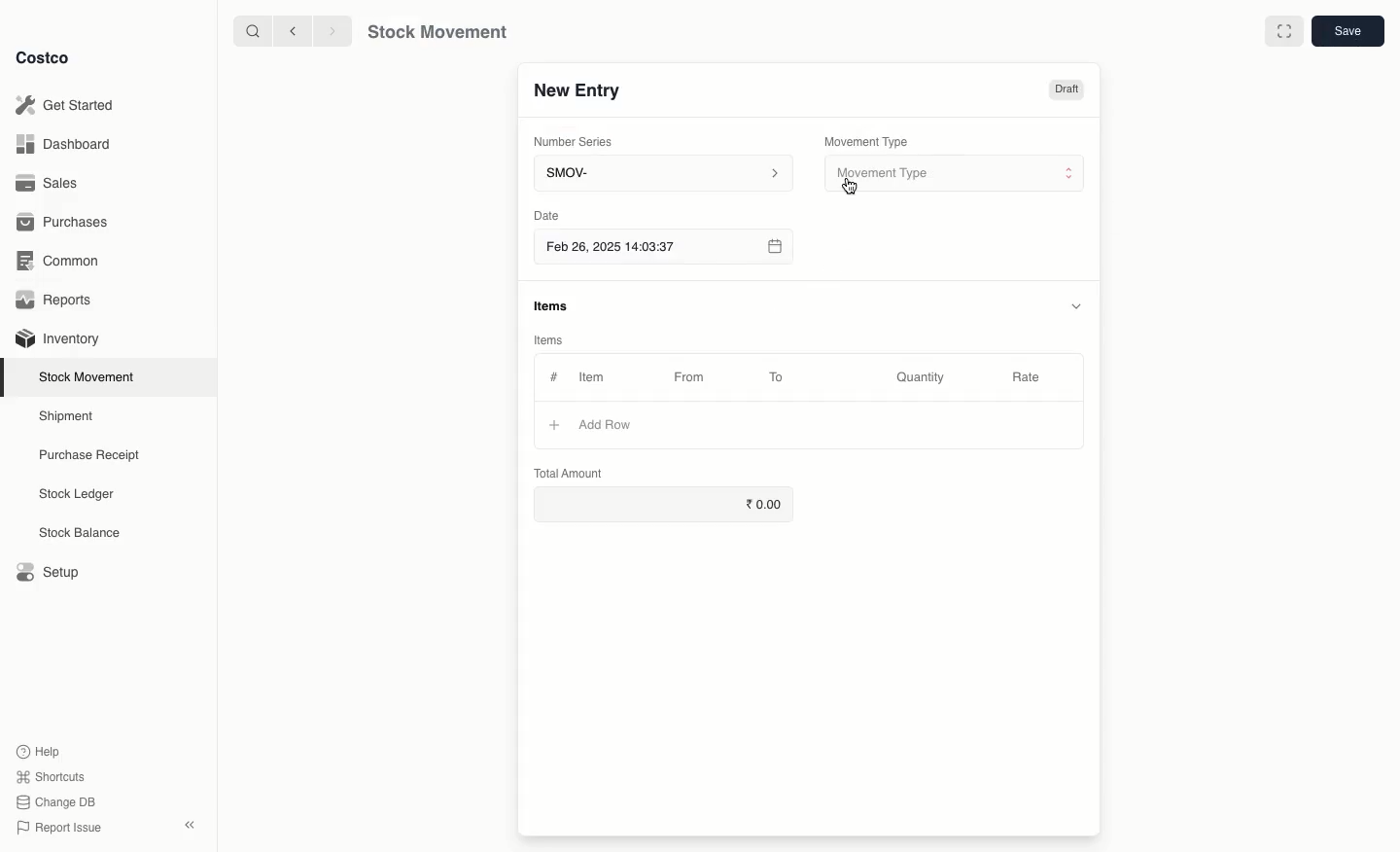 The width and height of the screenshot is (1400, 852). I want to click on Date, so click(545, 215).